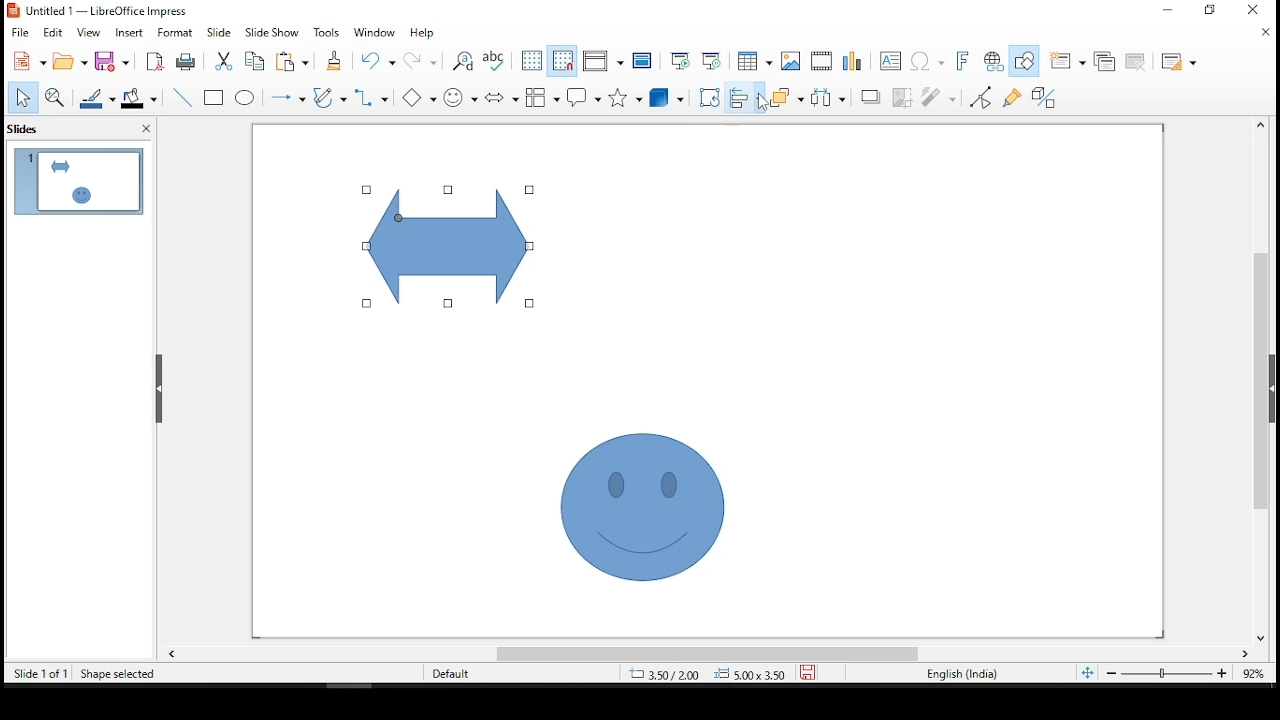 This screenshot has height=720, width=1280. What do you see at coordinates (178, 33) in the screenshot?
I see `format` at bounding box center [178, 33].